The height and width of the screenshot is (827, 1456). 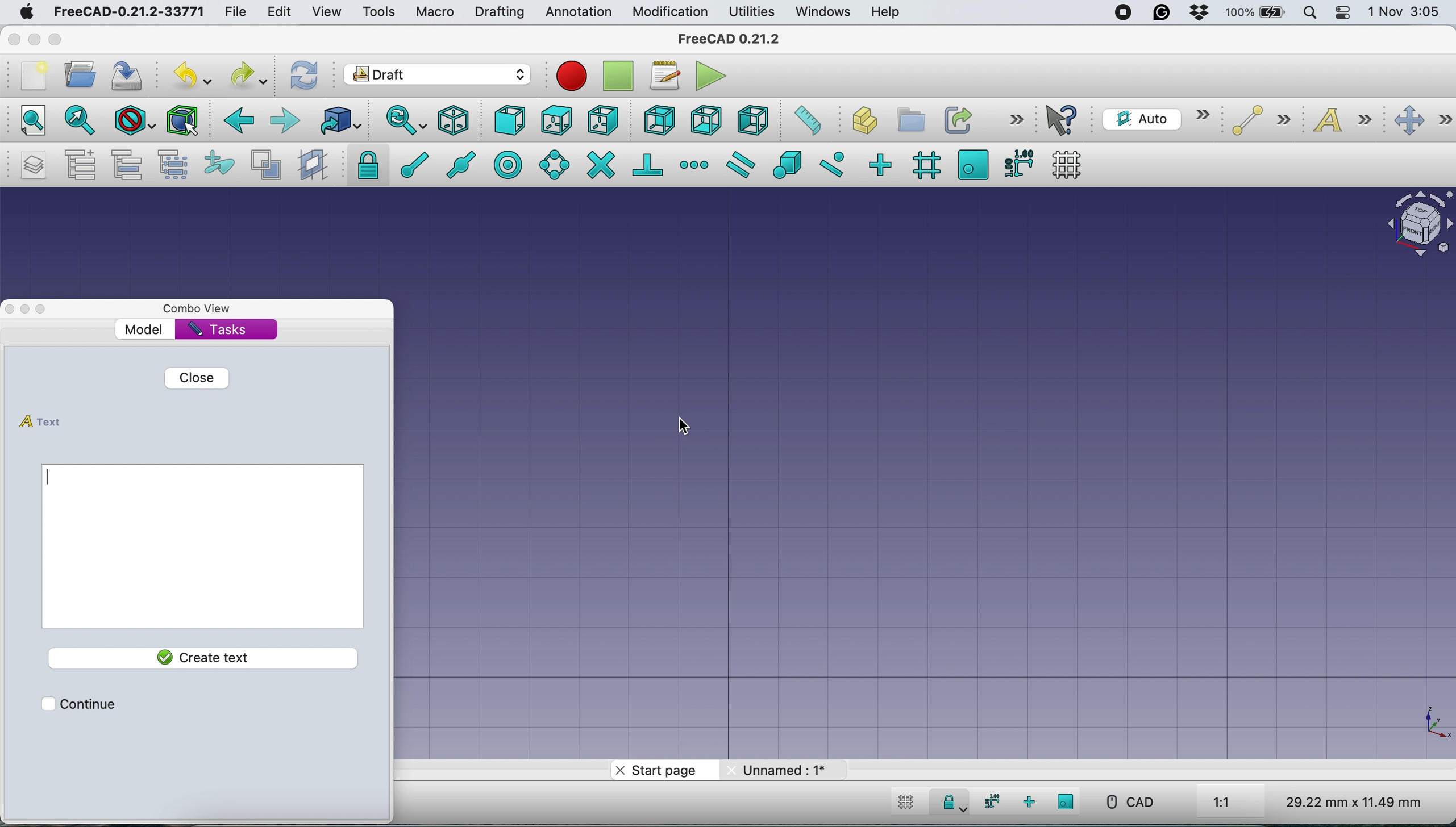 What do you see at coordinates (338, 120) in the screenshot?
I see `go to linked object` at bounding box center [338, 120].